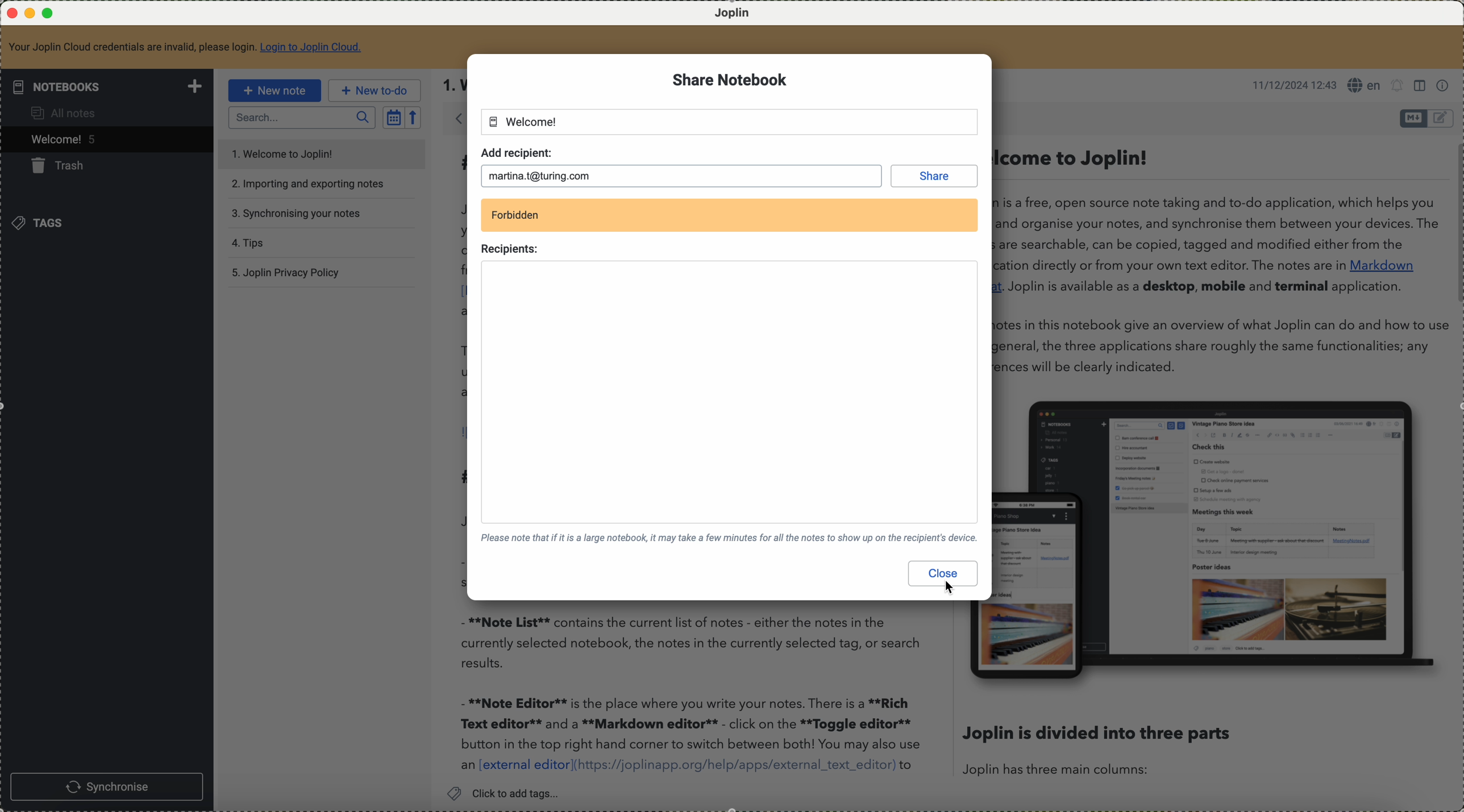 Image resolution: width=1464 pixels, height=812 pixels. I want to click on synchronising your notes, so click(297, 213).